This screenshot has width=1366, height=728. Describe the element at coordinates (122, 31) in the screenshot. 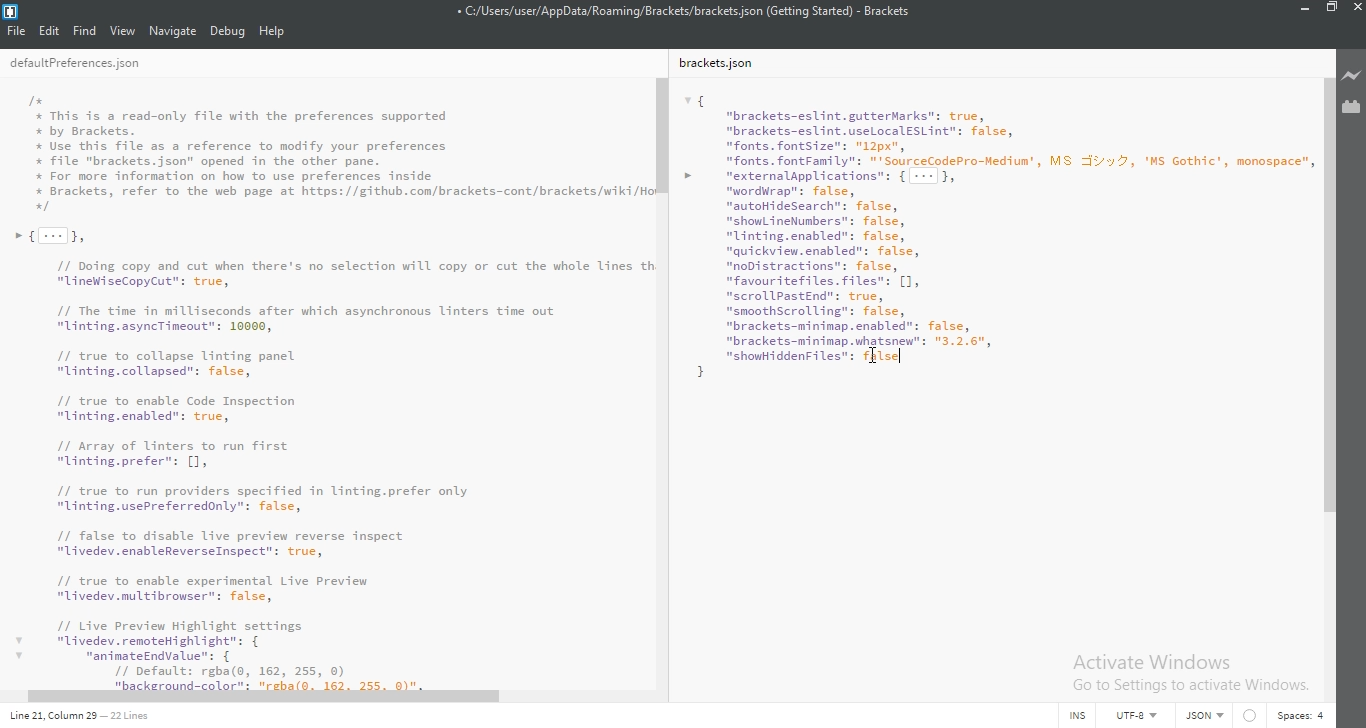

I see `view` at that location.